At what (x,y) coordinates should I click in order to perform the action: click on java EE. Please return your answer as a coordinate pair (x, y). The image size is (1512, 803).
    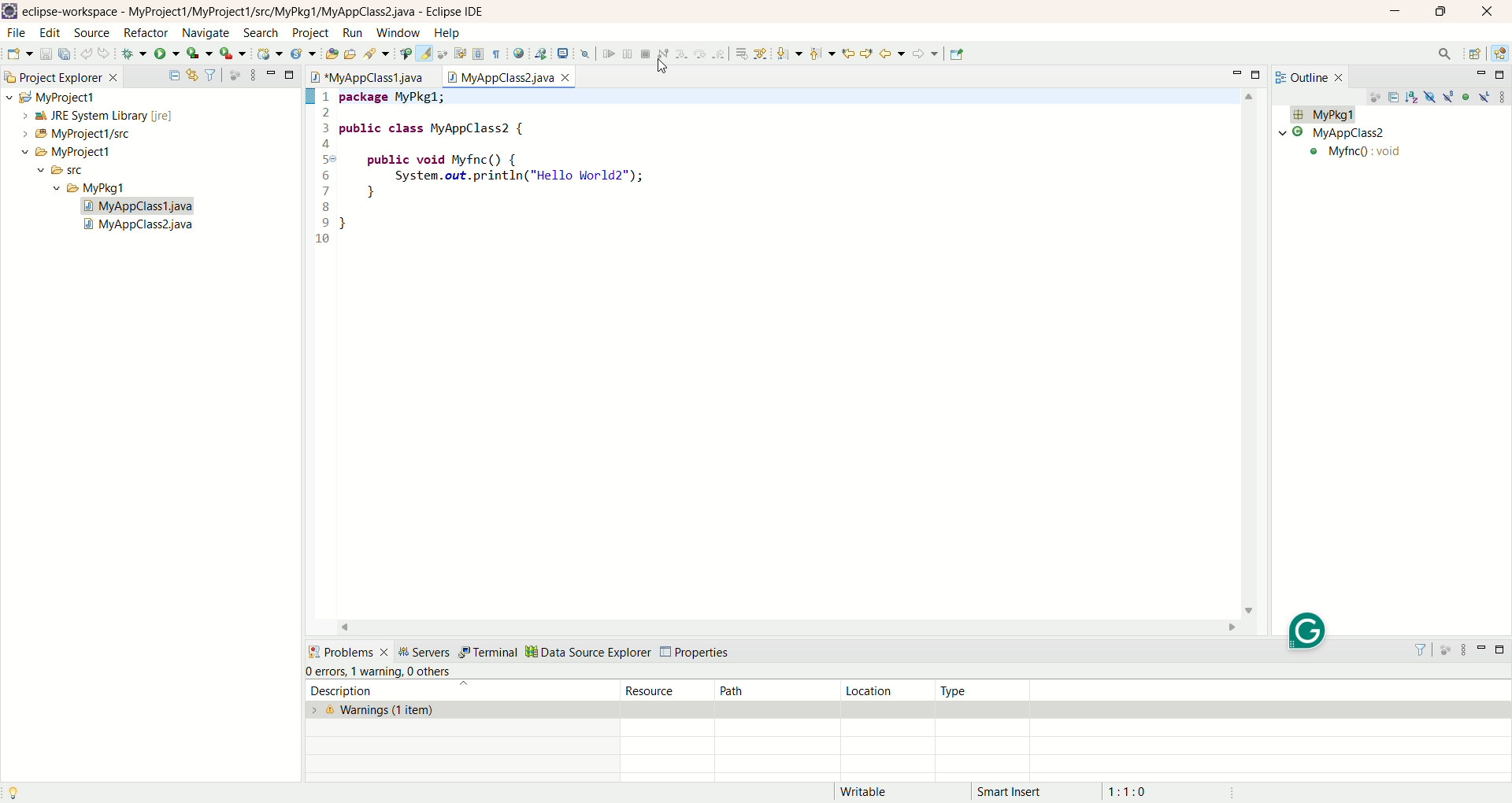
    Looking at the image, I should click on (1502, 52).